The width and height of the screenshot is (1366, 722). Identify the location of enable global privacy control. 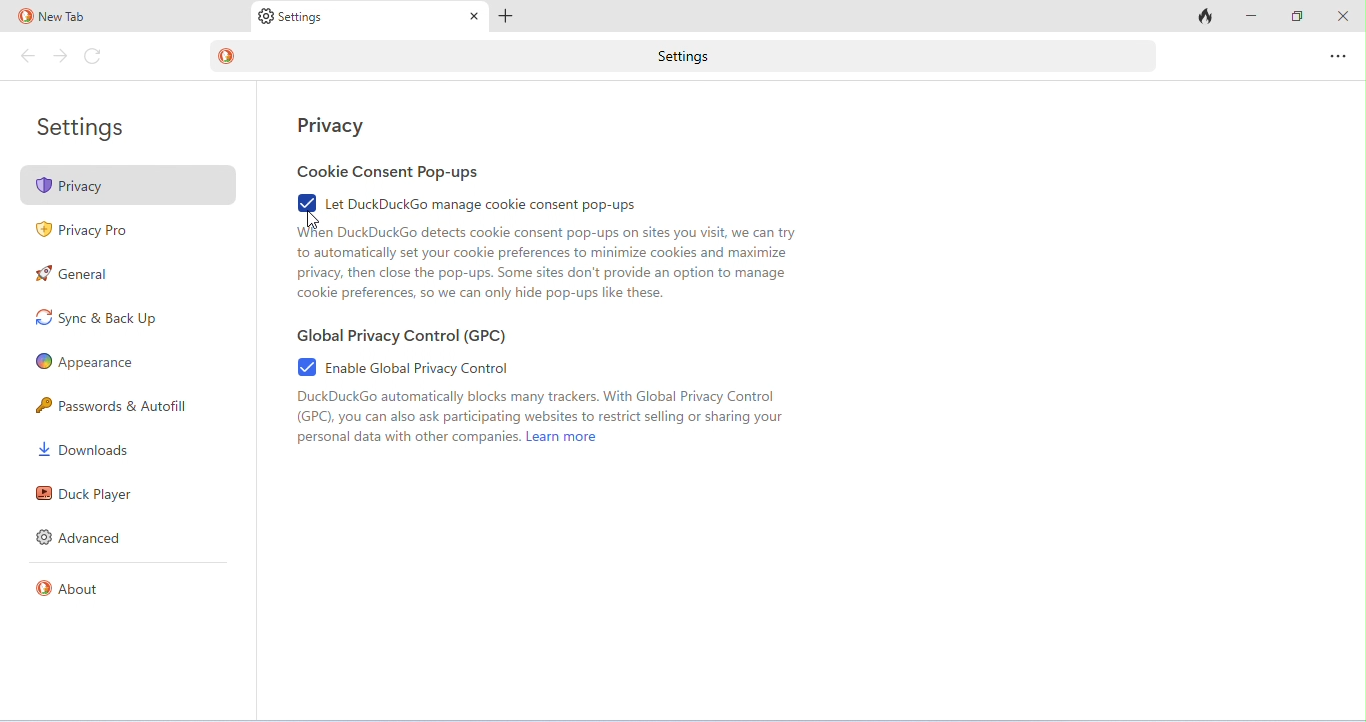
(403, 366).